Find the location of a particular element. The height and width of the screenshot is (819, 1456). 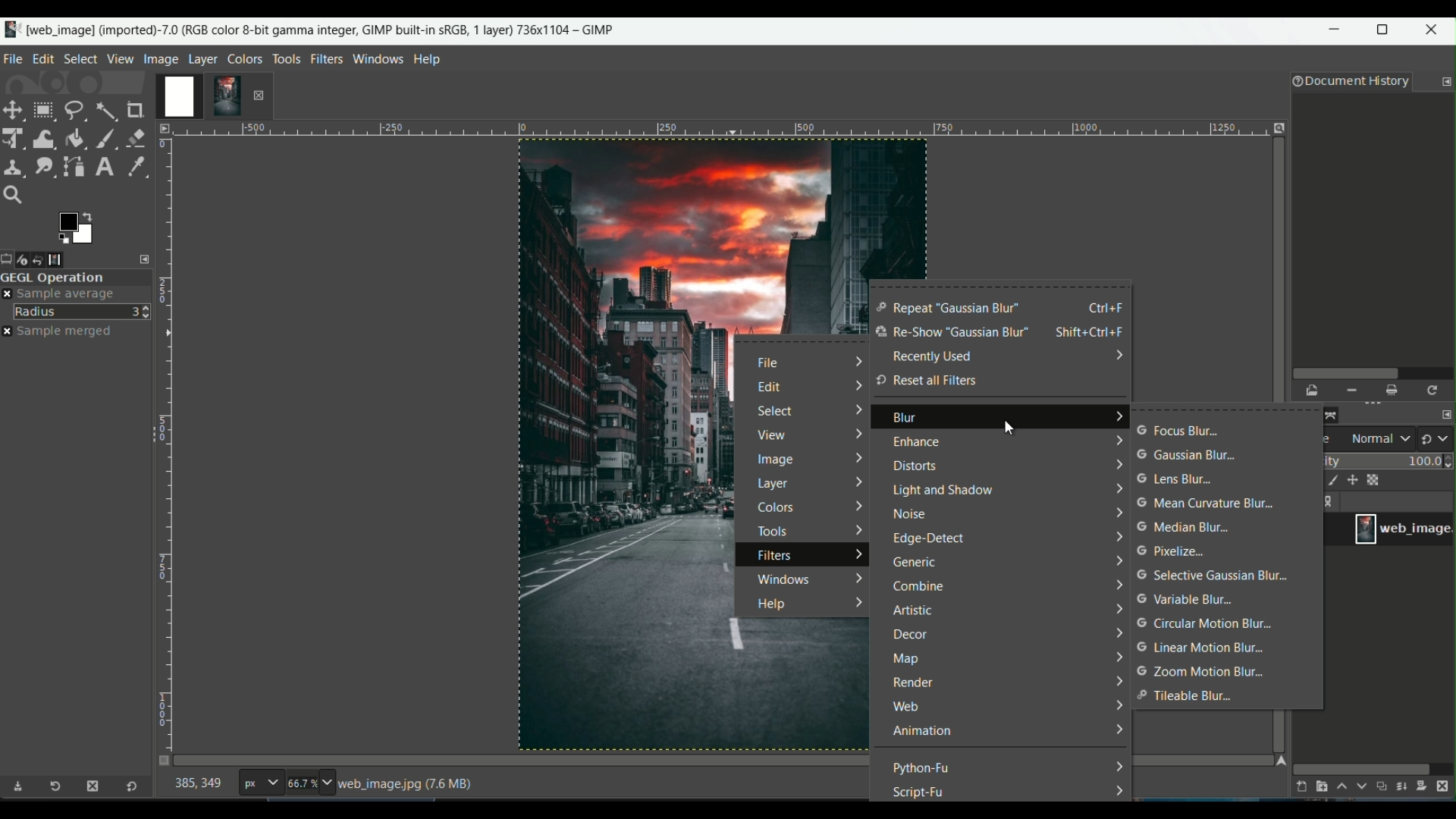

bucket fill tool is located at coordinates (75, 137).